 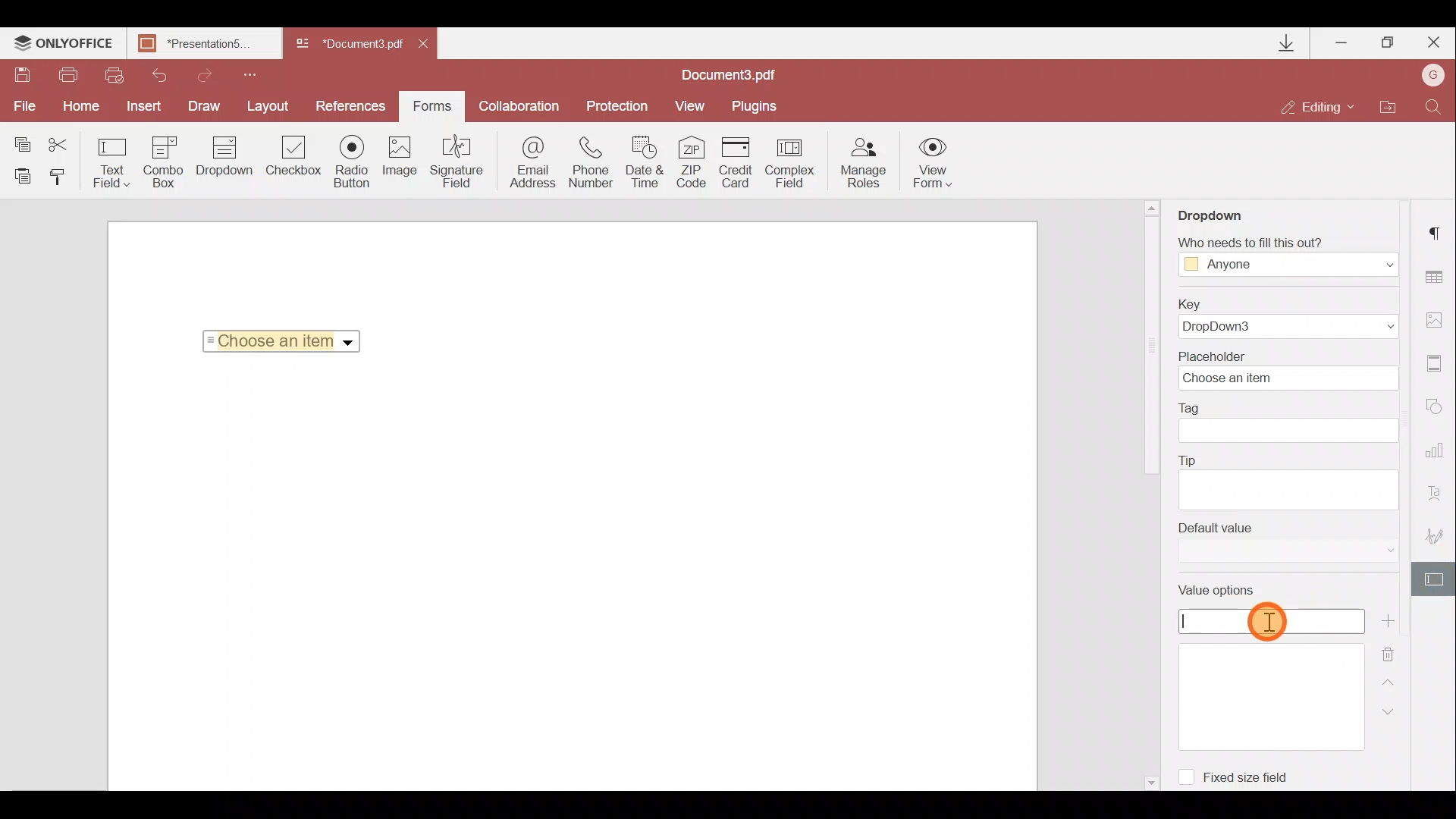 What do you see at coordinates (695, 106) in the screenshot?
I see `View` at bounding box center [695, 106].